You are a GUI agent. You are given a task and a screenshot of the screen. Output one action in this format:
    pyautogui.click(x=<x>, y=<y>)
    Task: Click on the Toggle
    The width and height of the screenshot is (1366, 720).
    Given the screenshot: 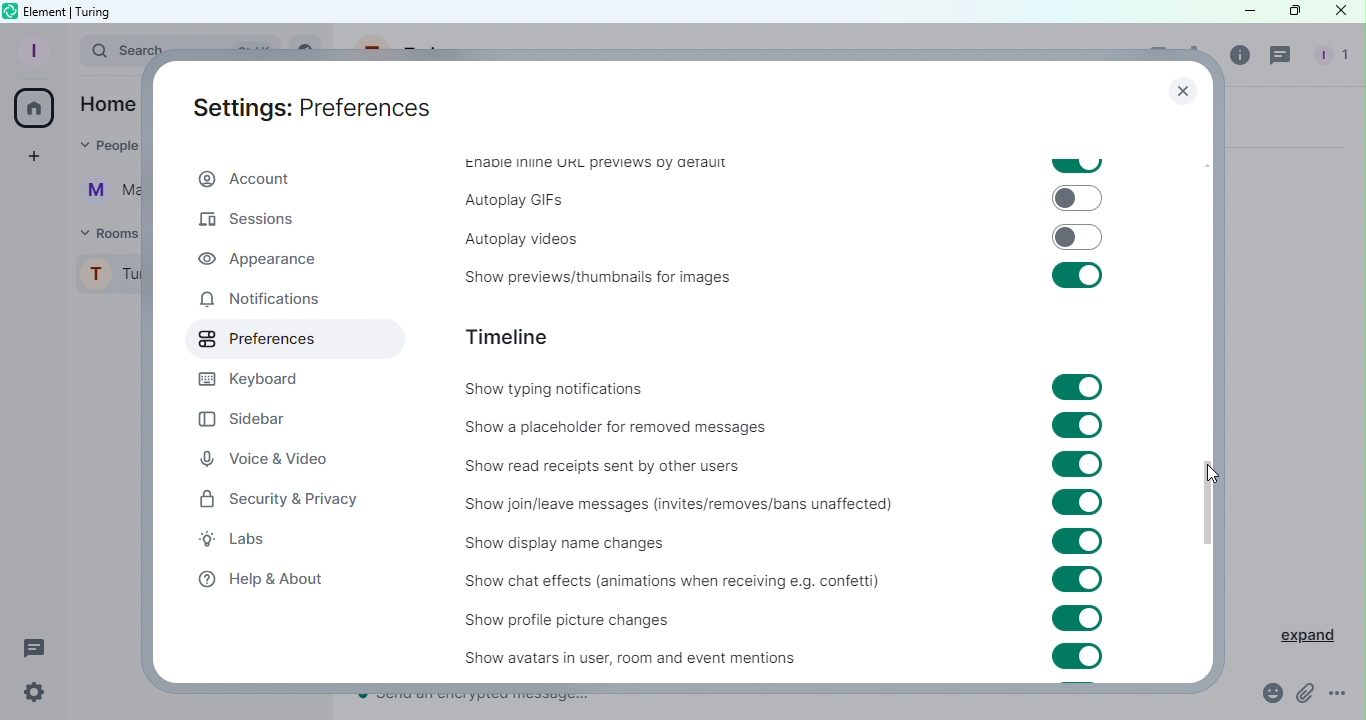 What is the action you would take?
    pyautogui.click(x=1078, y=502)
    